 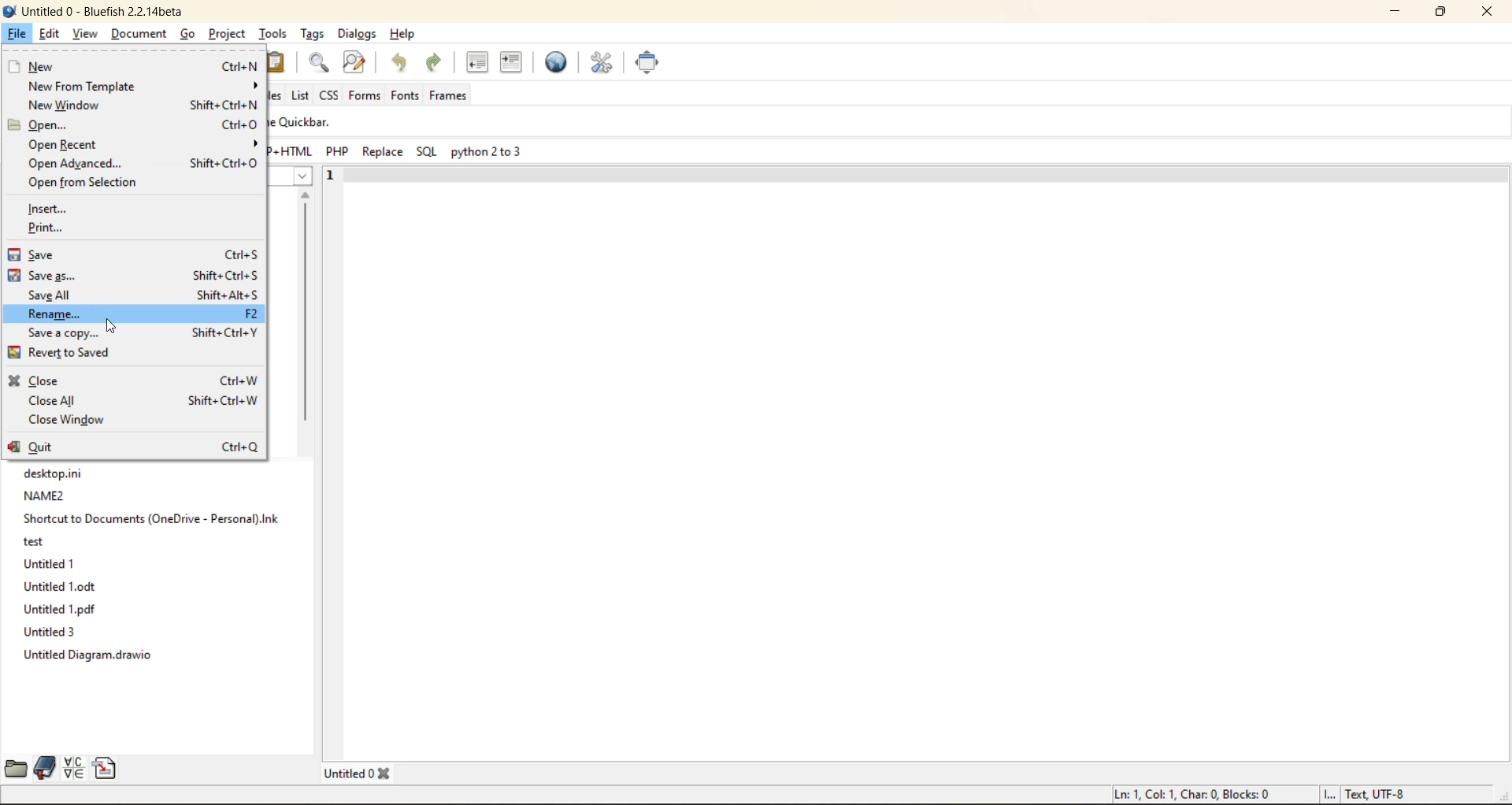 What do you see at coordinates (92, 88) in the screenshot?
I see `new from template` at bounding box center [92, 88].